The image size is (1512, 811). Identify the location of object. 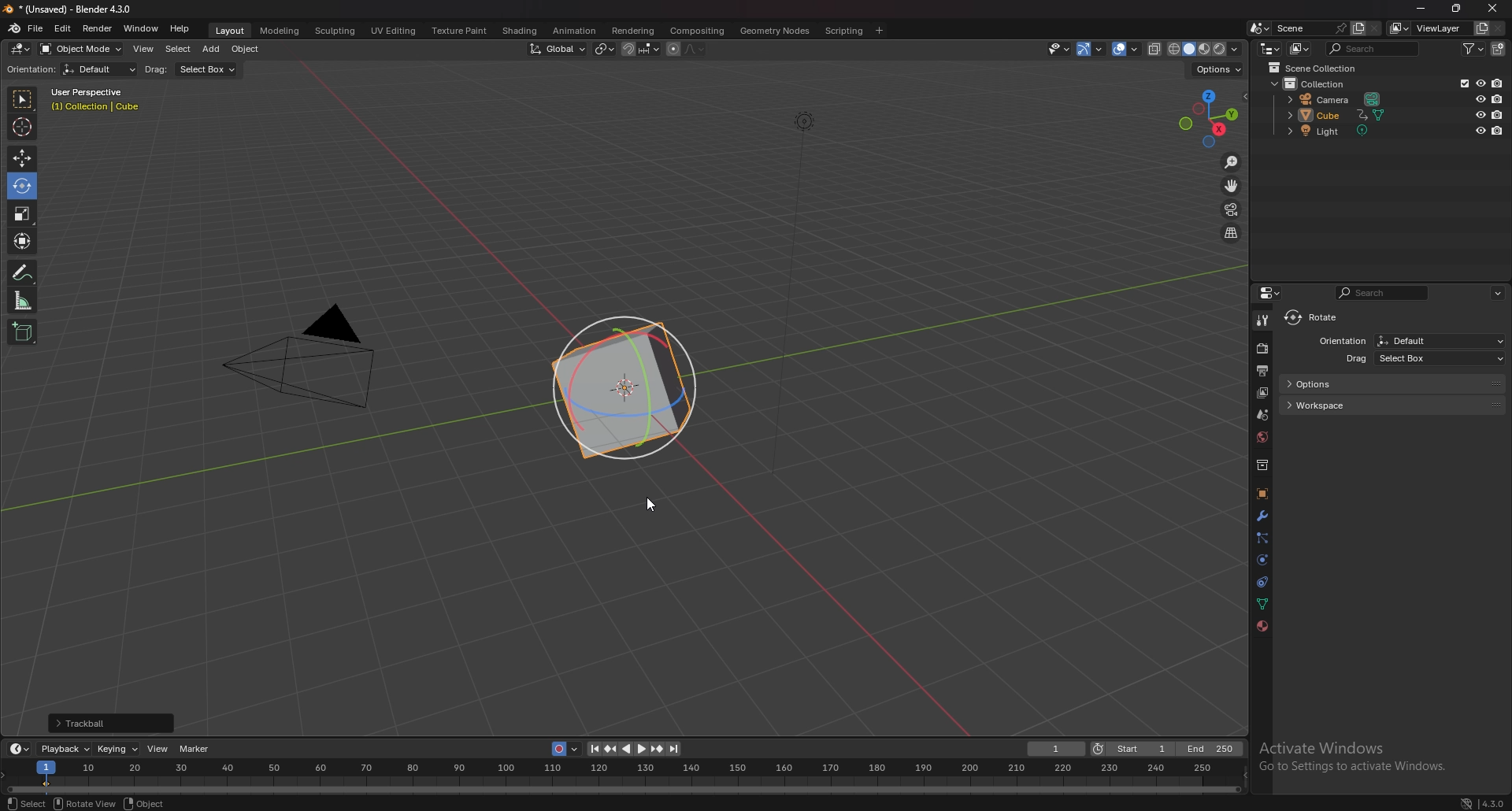
(246, 50).